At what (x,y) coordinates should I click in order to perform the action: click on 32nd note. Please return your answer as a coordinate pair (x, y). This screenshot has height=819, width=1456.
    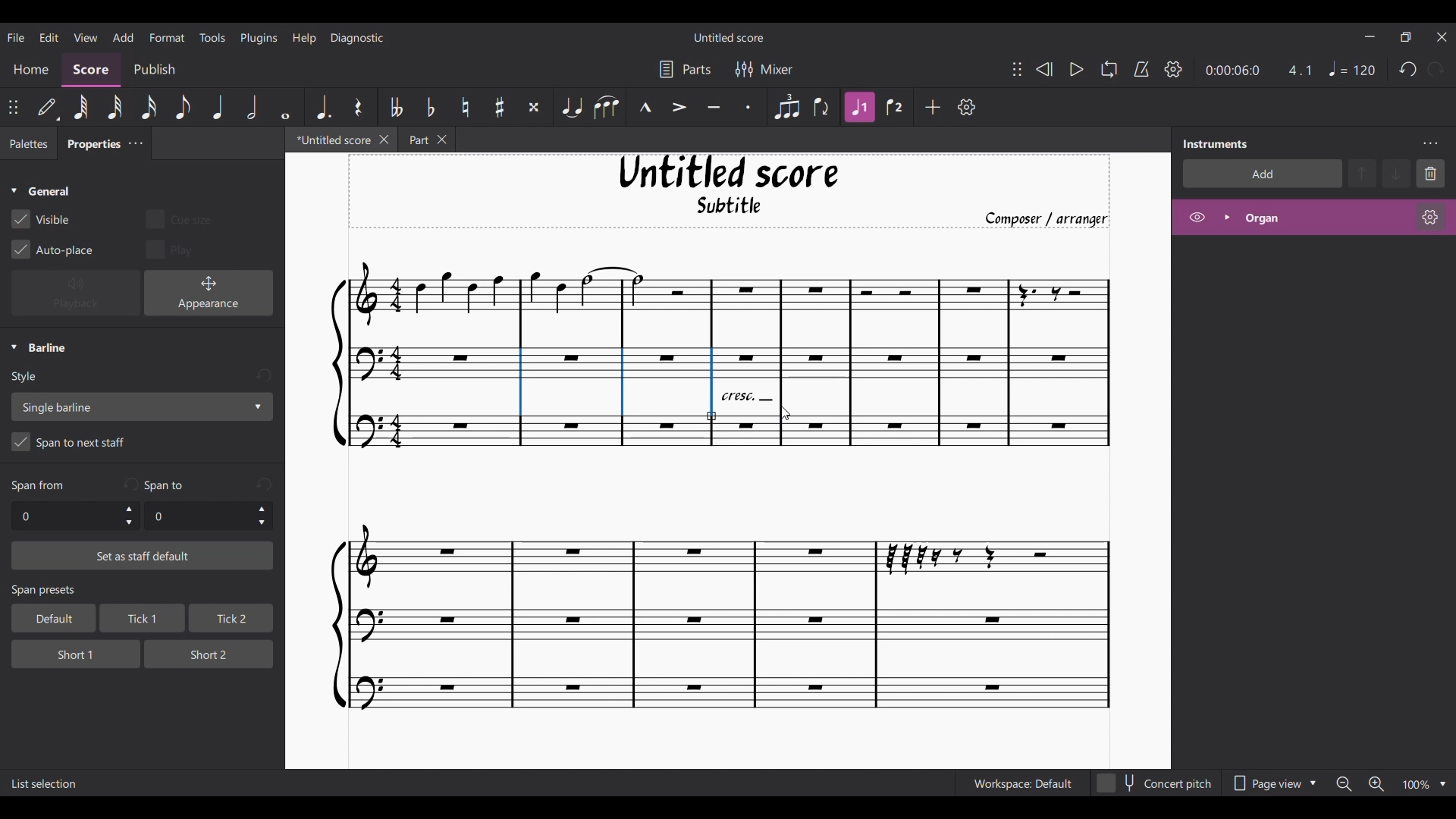
    Looking at the image, I should click on (116, 108).